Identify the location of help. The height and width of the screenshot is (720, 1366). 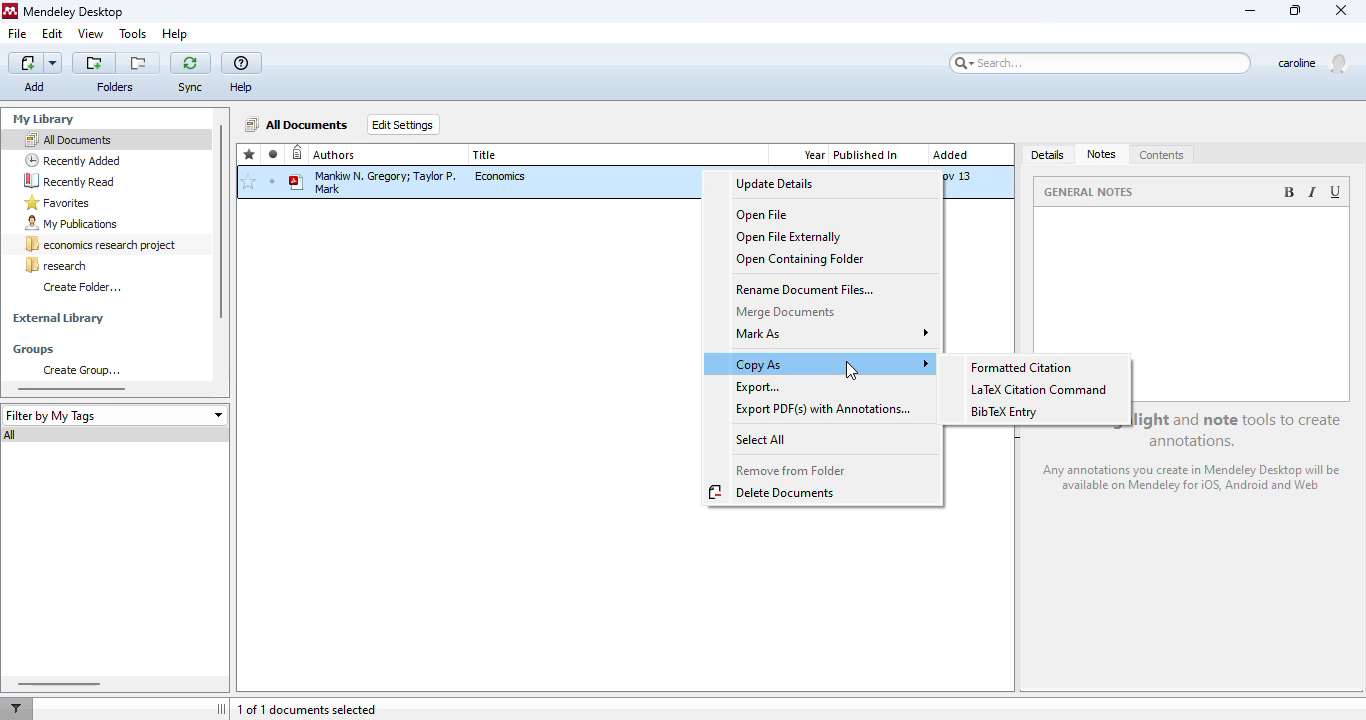
(175, 34).